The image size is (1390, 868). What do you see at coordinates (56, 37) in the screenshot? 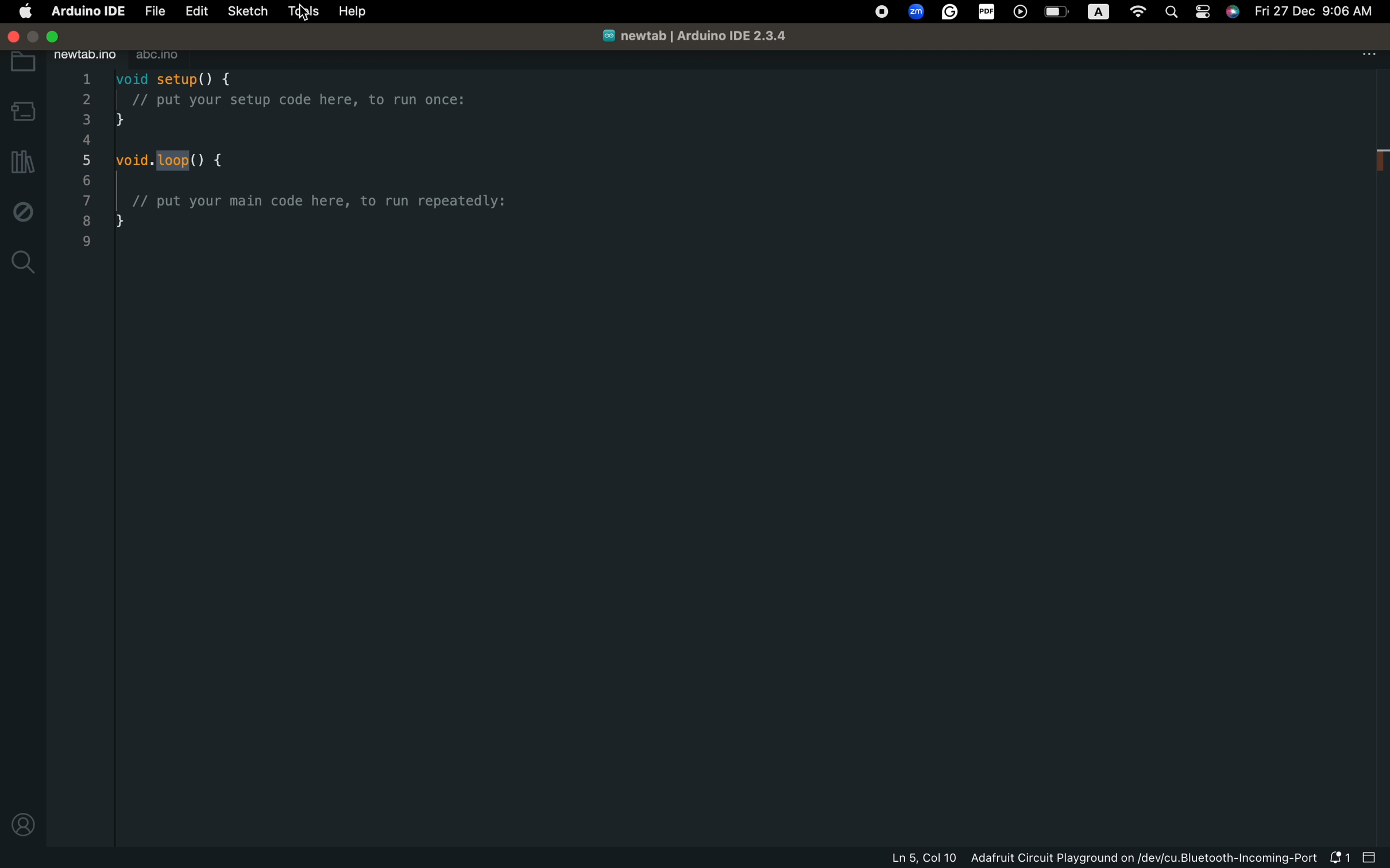
I see `Close` at bounding box center [56, 37].